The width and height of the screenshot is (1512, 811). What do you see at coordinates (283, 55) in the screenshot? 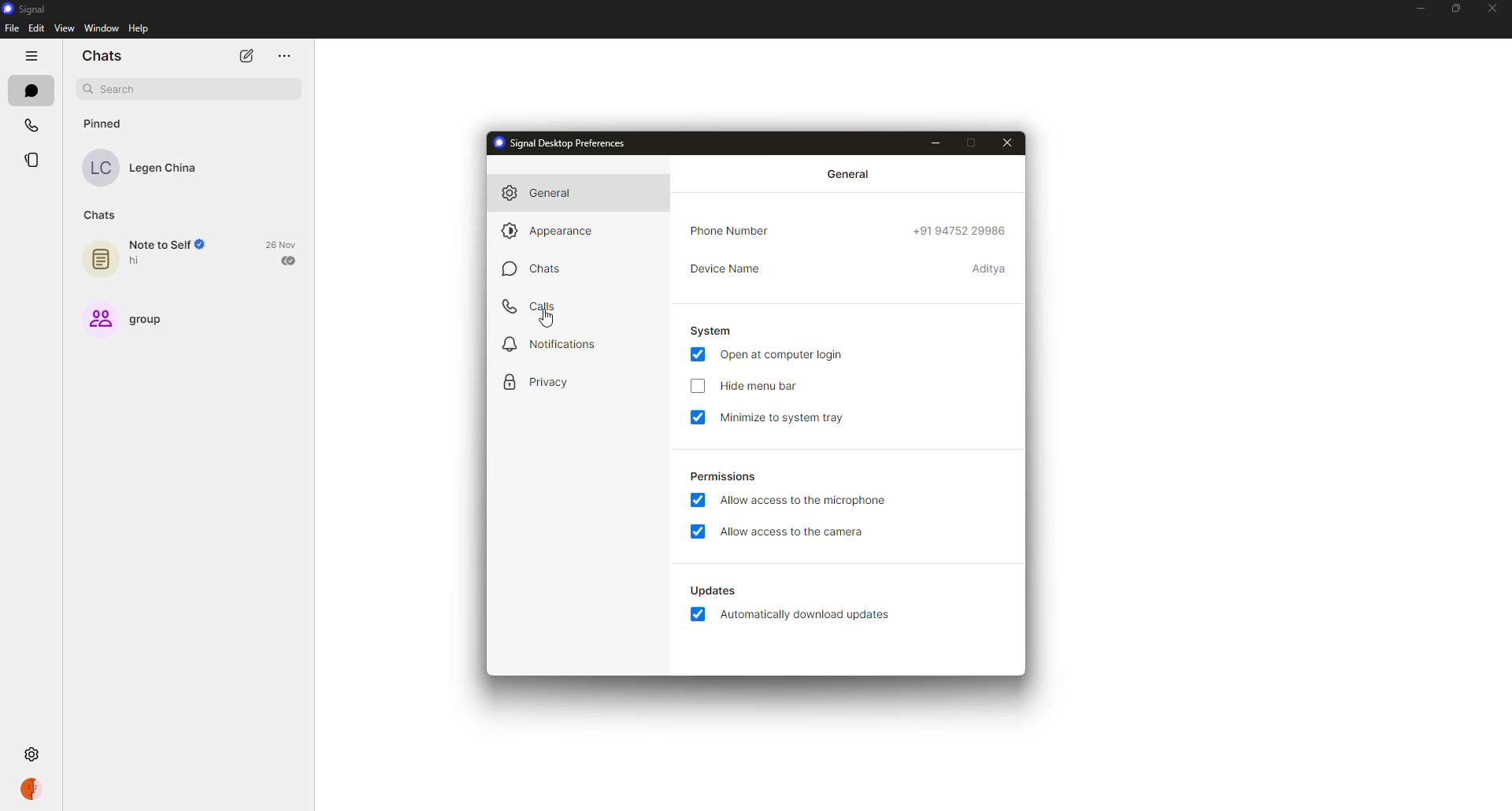
I see `more` at bounding box center [283, 55].